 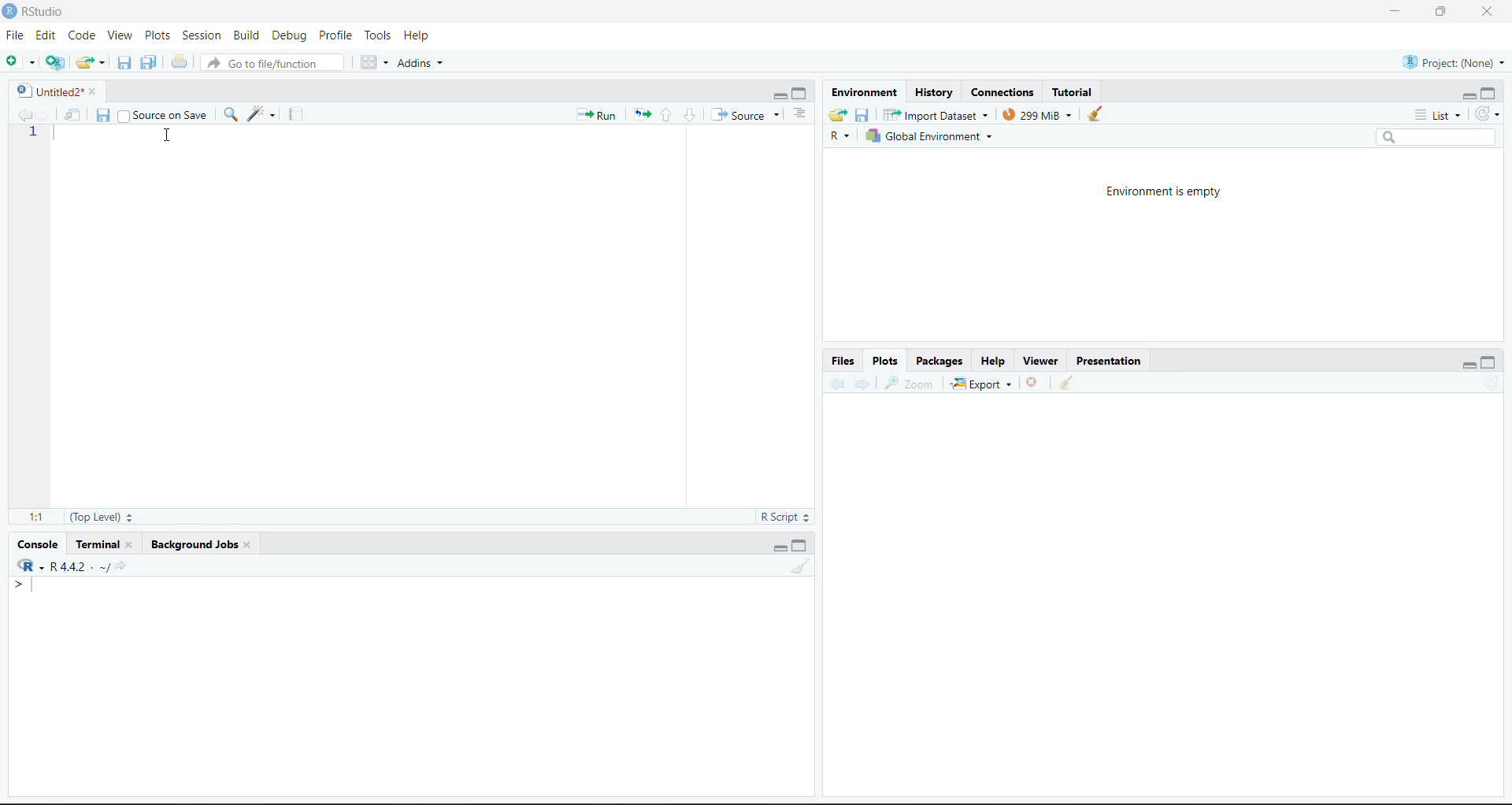 What do you see at coordinates (1395, 9) in the screenshot?
I see `minimize` at bounding box center [1395, 9].